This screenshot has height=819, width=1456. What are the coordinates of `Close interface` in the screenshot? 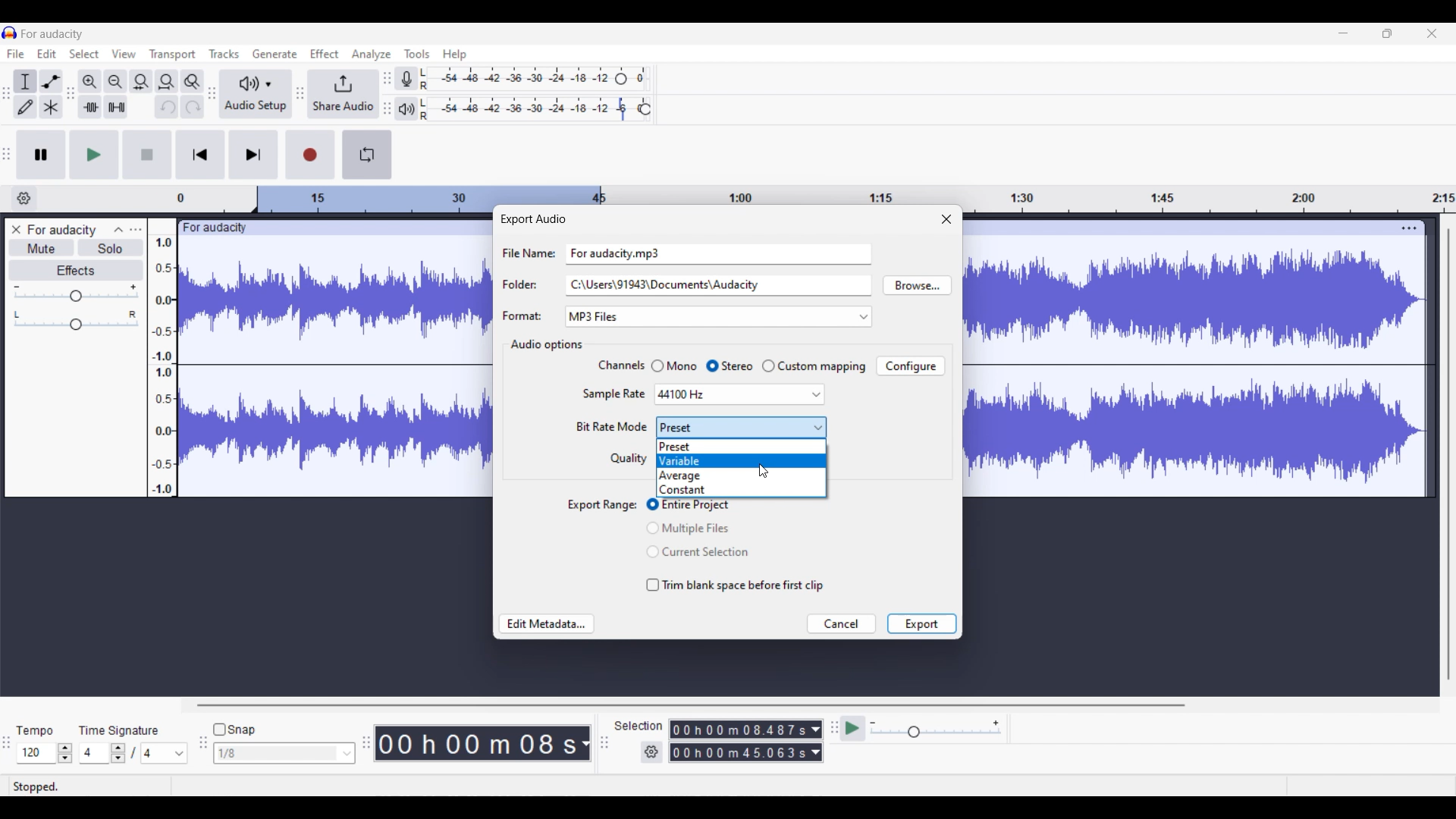 It's located at (1432, 33).